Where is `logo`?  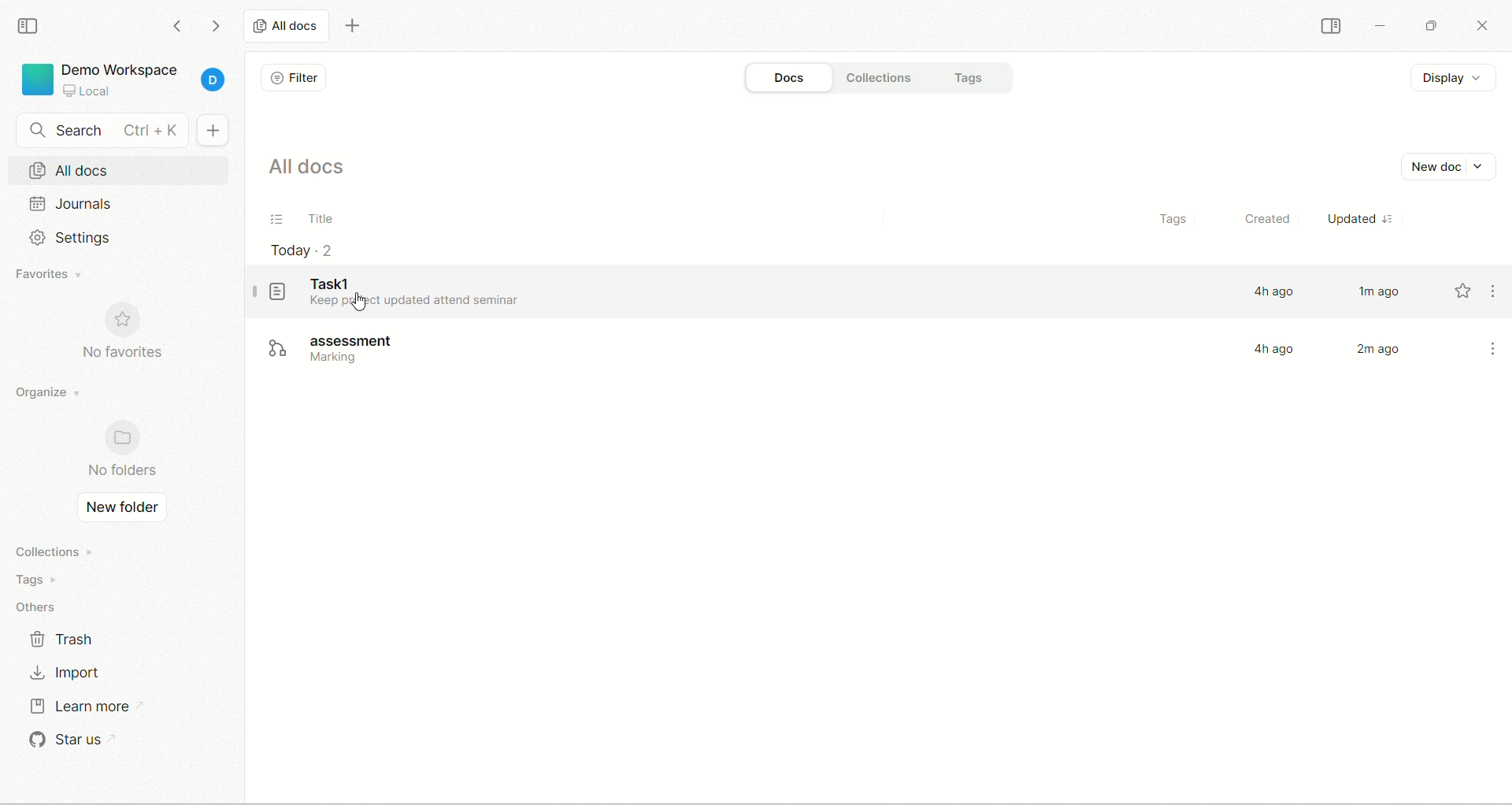
logo is located at coordinates (35, 79).